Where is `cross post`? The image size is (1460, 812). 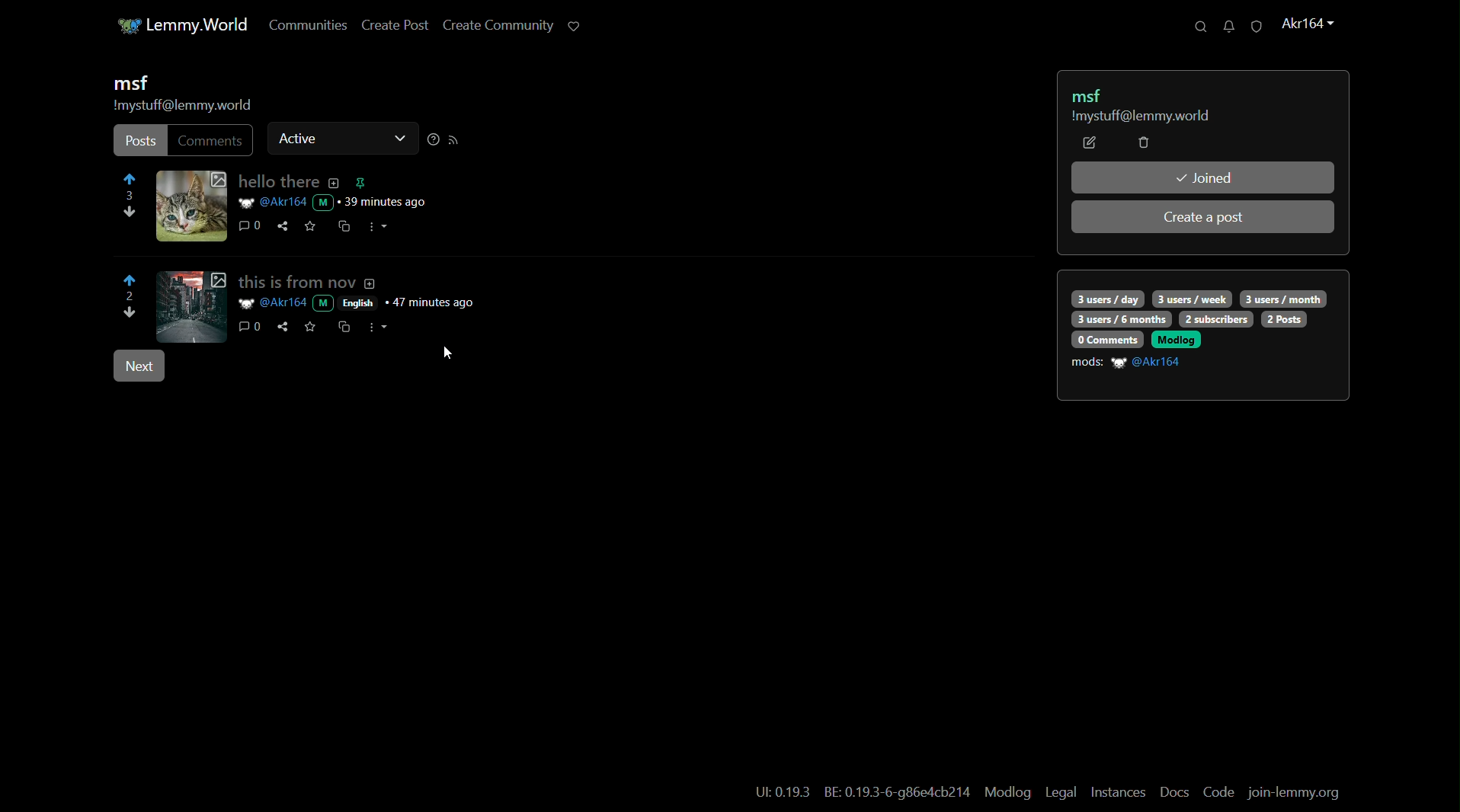
cross post is located at coordinates (343, 228).